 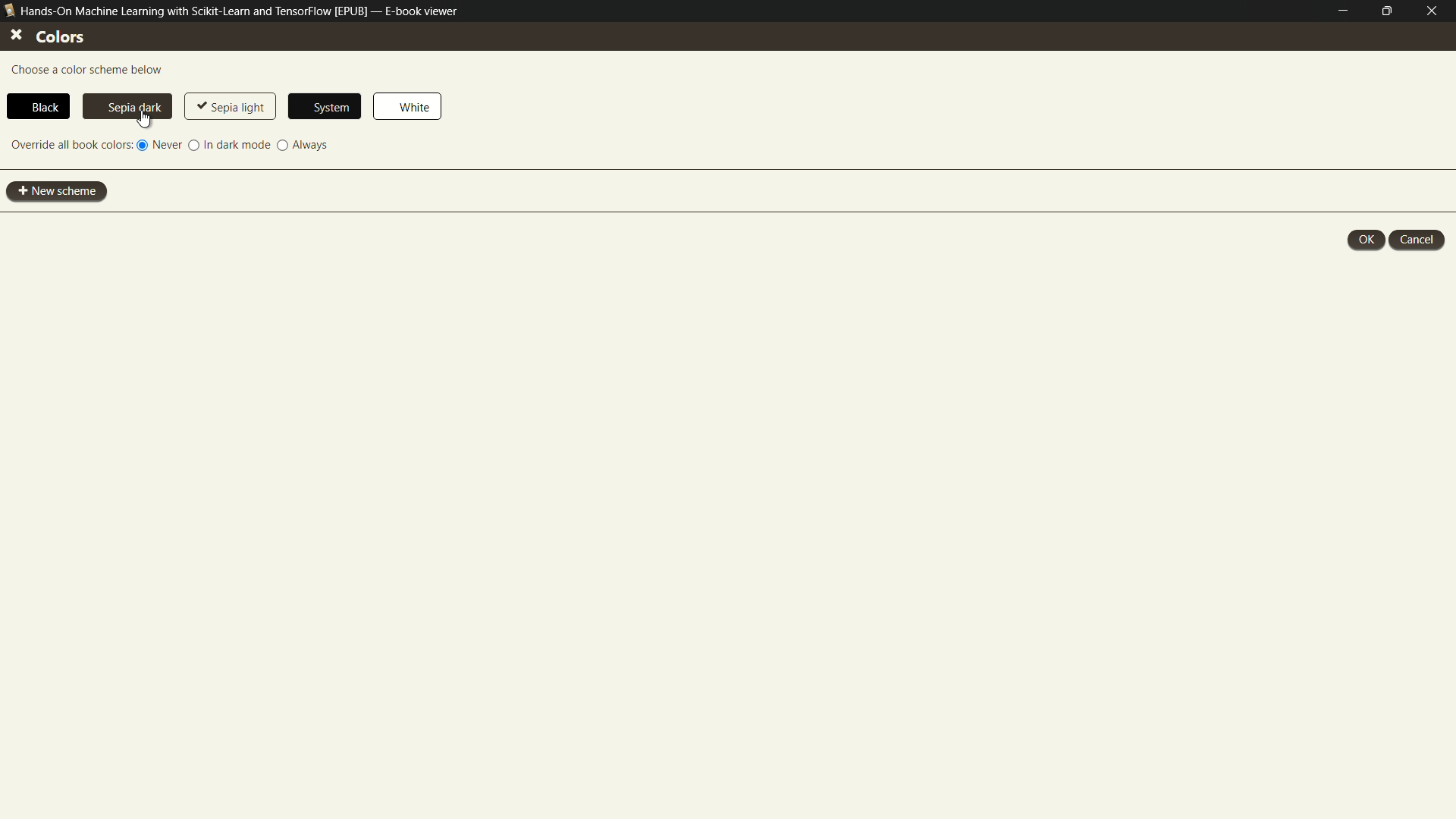 I want to click on override all book colors, so click(x=72, y=145).